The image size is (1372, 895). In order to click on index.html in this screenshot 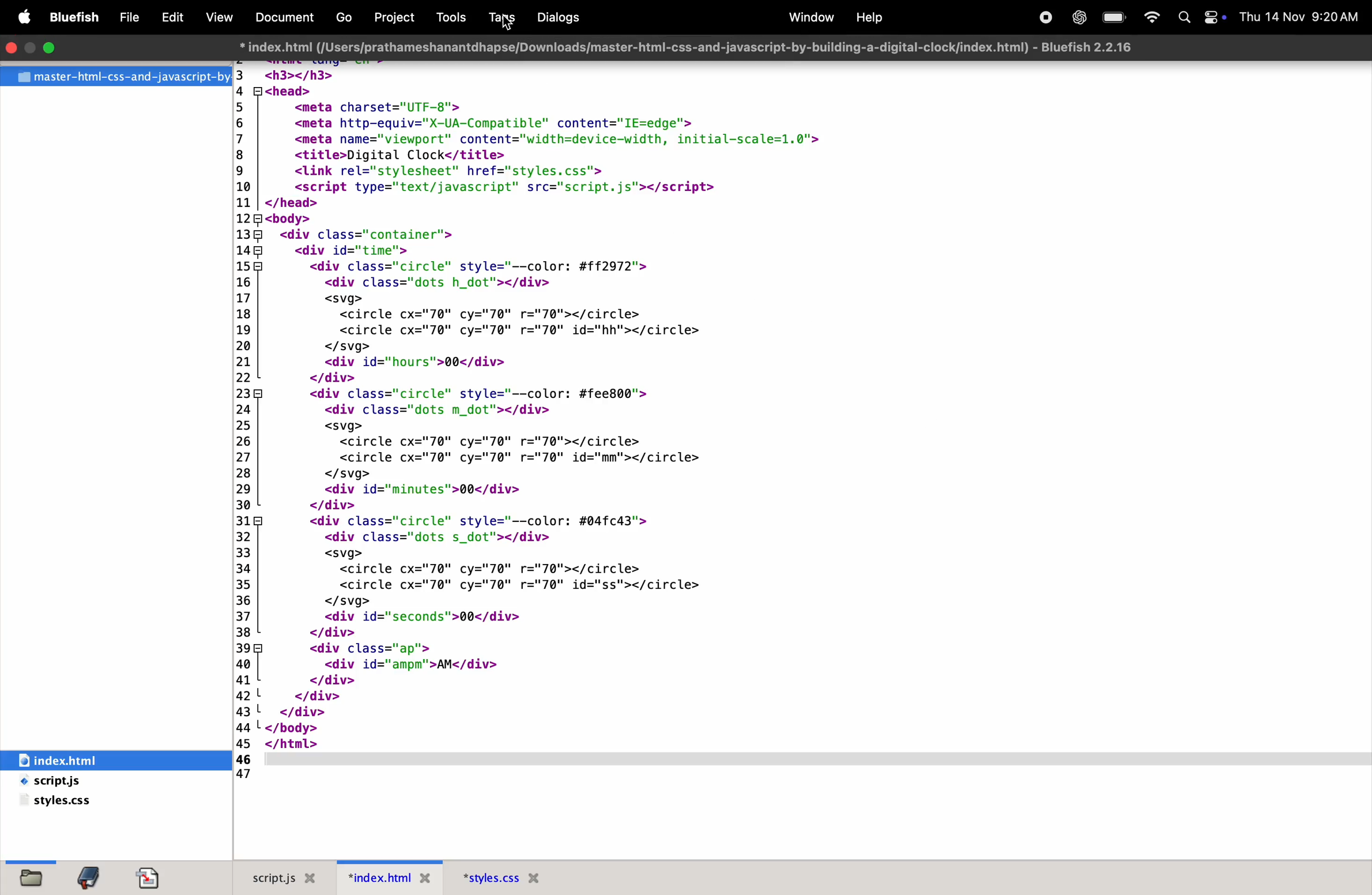, I will do `click(391, 877)`.